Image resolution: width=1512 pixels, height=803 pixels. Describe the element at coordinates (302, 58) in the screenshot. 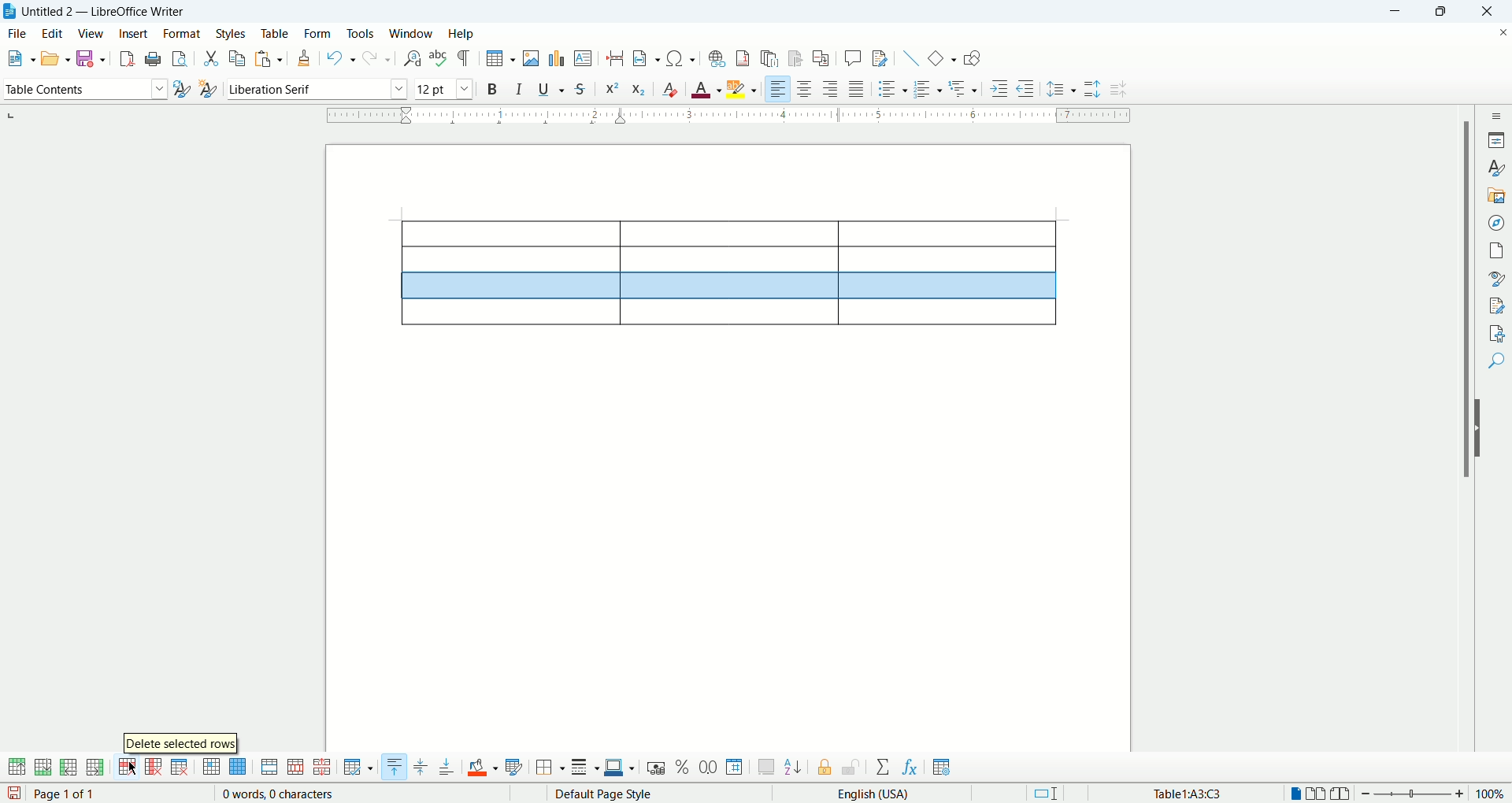

I see `clone formatting` at that location.